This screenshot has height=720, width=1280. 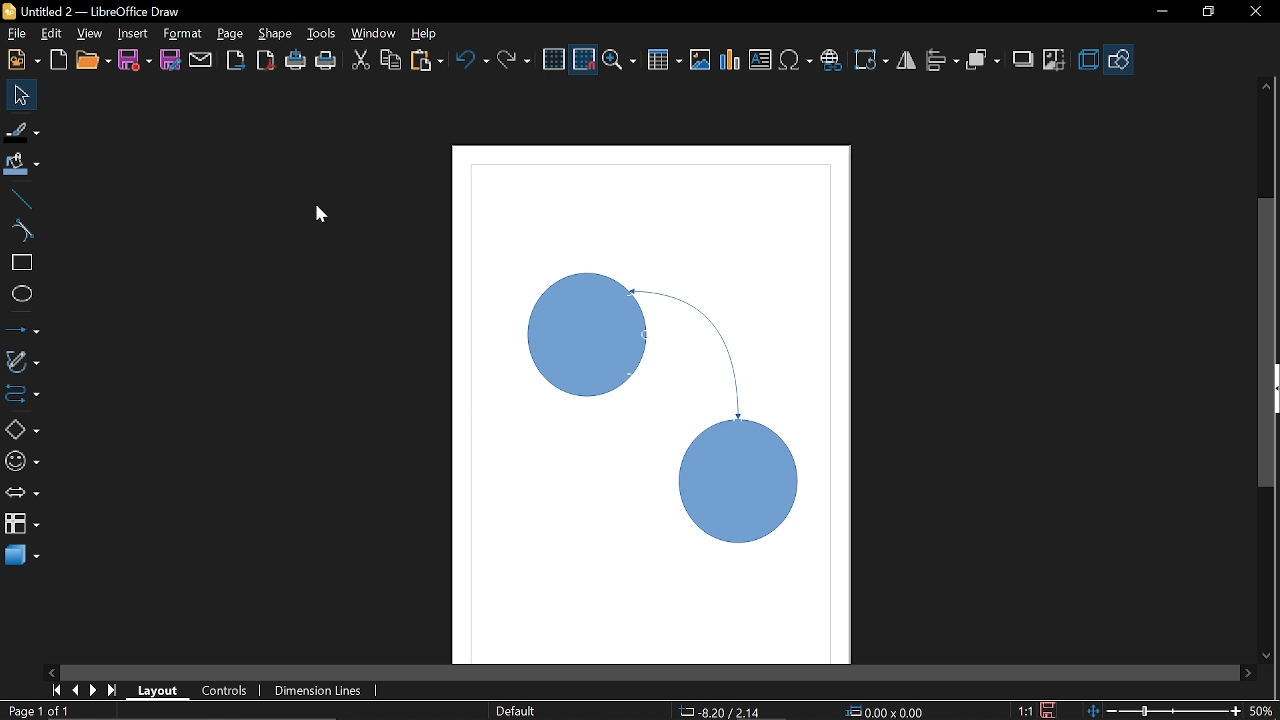 I want to click on Insert, so click(x=131, y=33).